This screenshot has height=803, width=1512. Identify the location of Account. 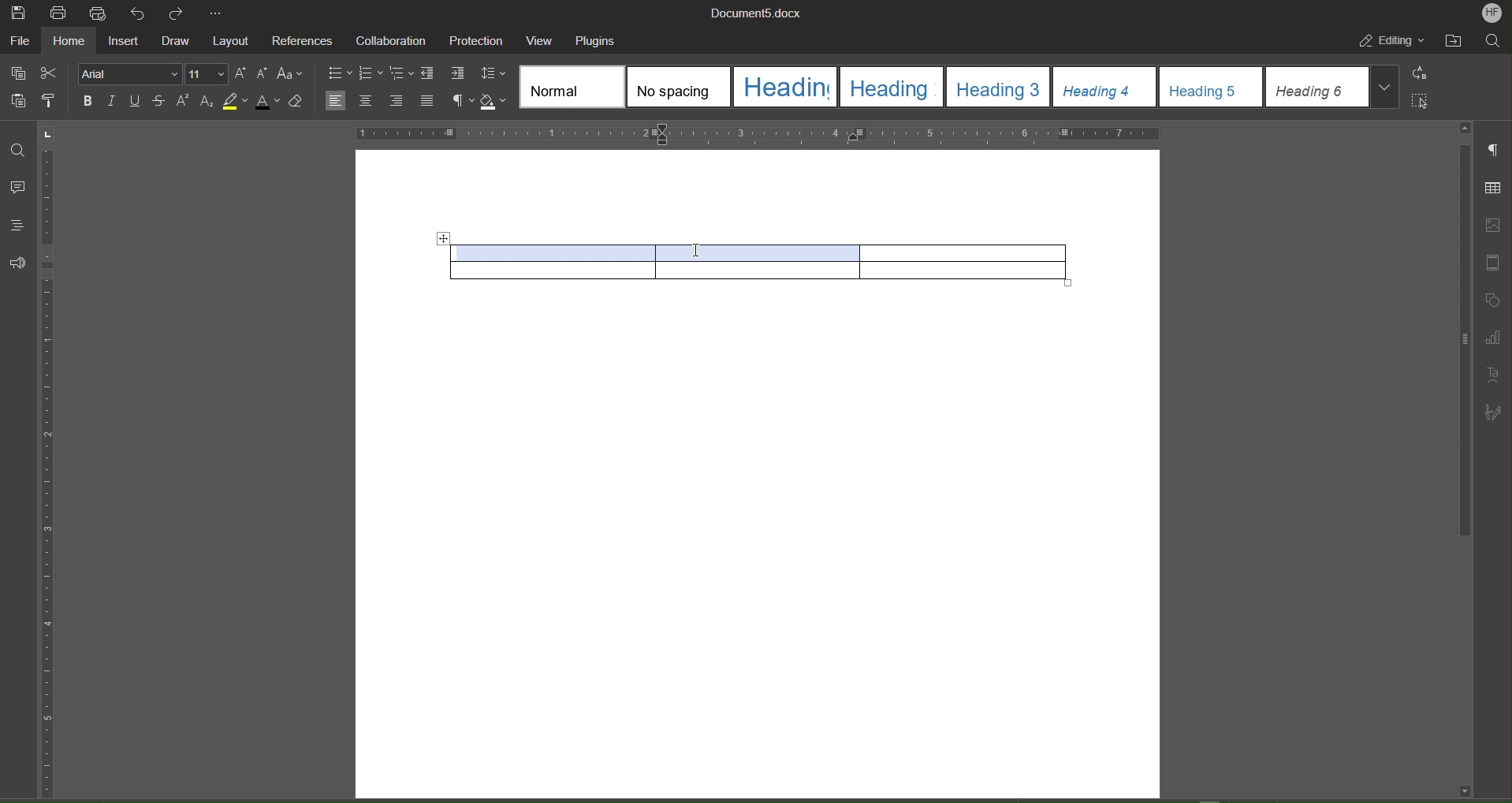
(1490, 13).